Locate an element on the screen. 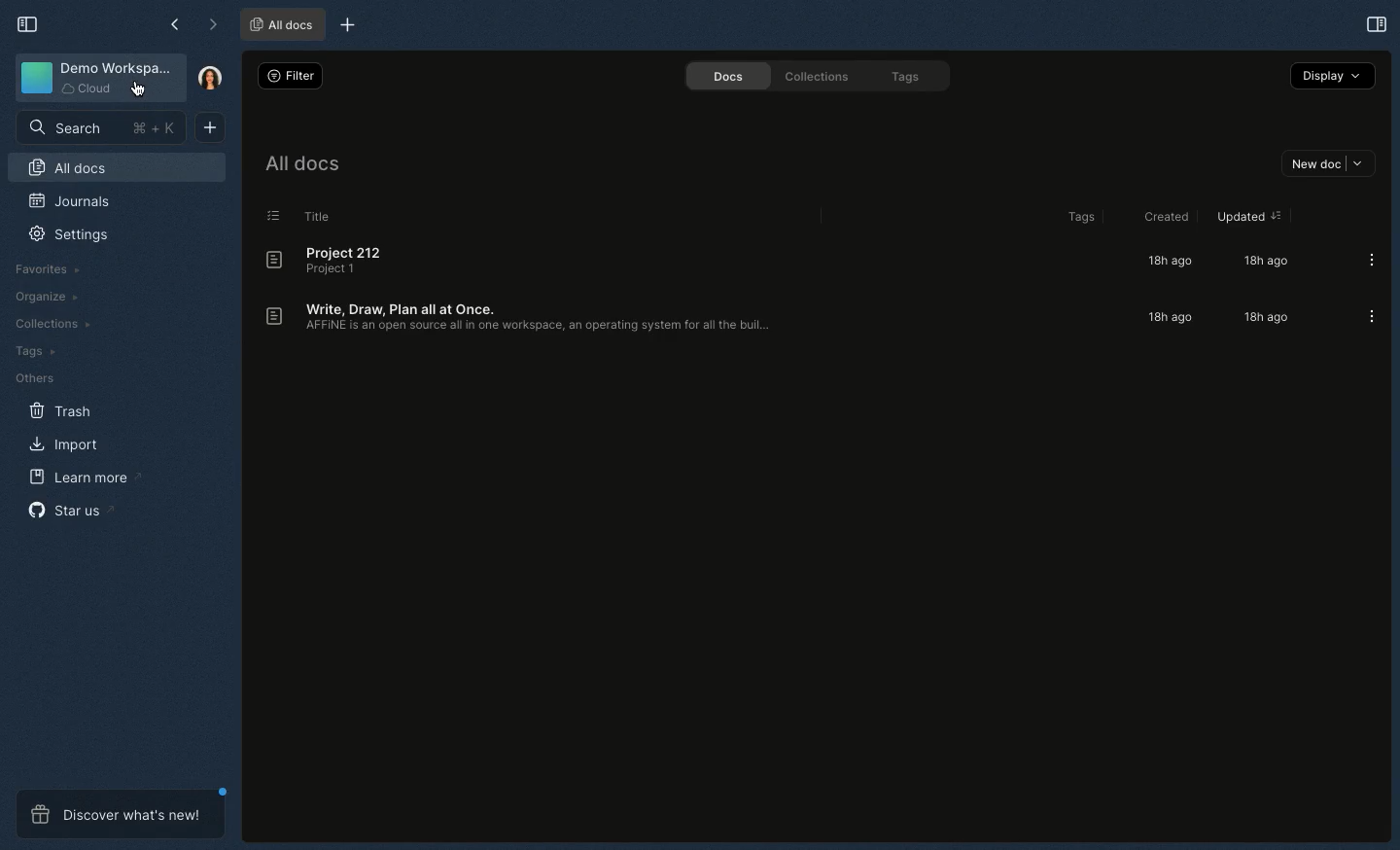 The image size is (1400, 850). Tags is located at coordinates (32, 350).